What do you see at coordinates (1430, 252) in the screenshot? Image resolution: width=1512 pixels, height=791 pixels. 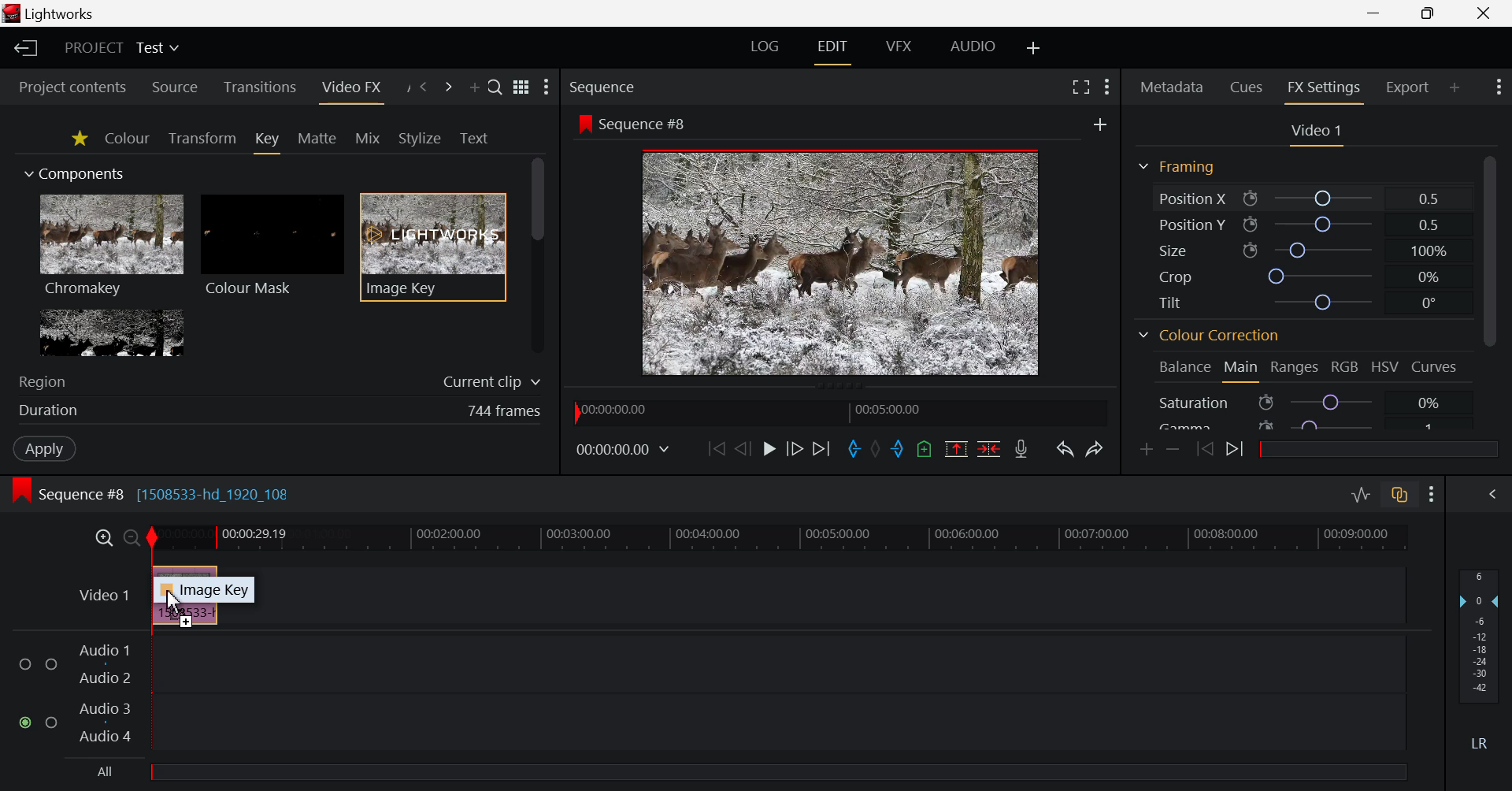 I see `100%` at bounding box center [1430, 252].